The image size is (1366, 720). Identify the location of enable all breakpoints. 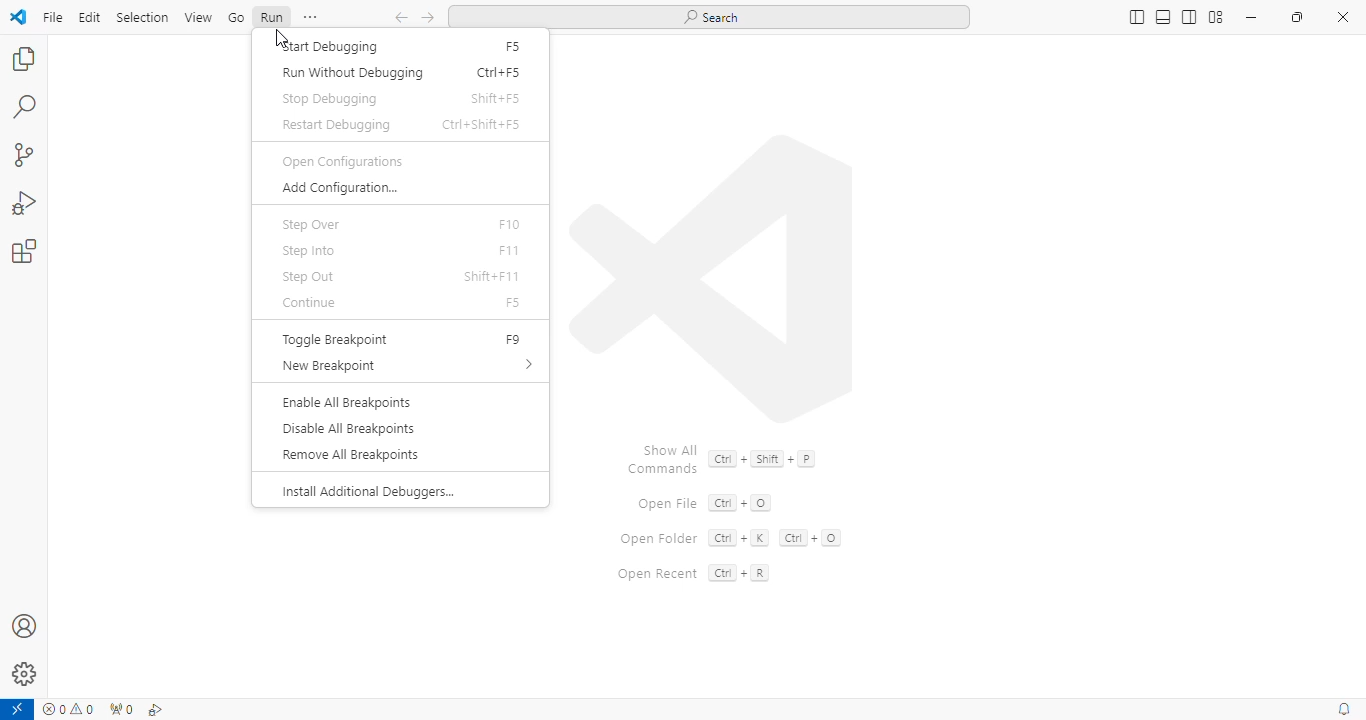
(346, 403).